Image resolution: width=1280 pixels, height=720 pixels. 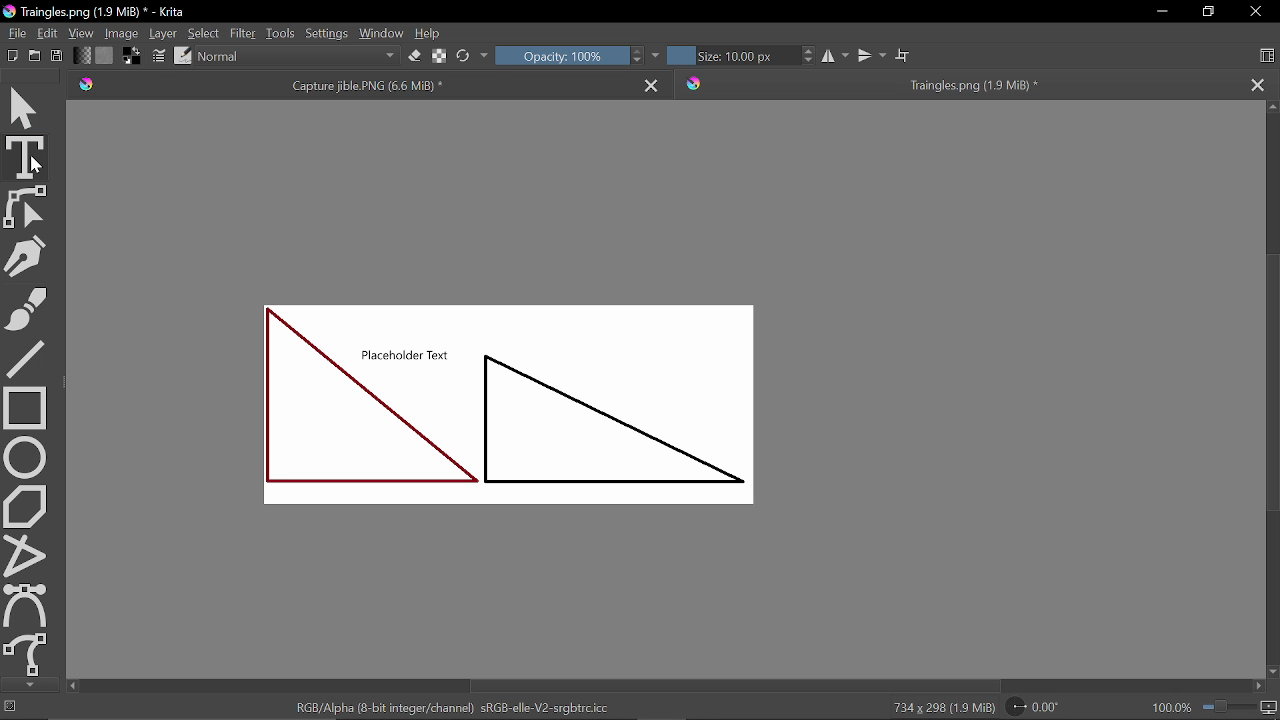 I want to click on Preserve Alpha, so click(x=440, y=54).